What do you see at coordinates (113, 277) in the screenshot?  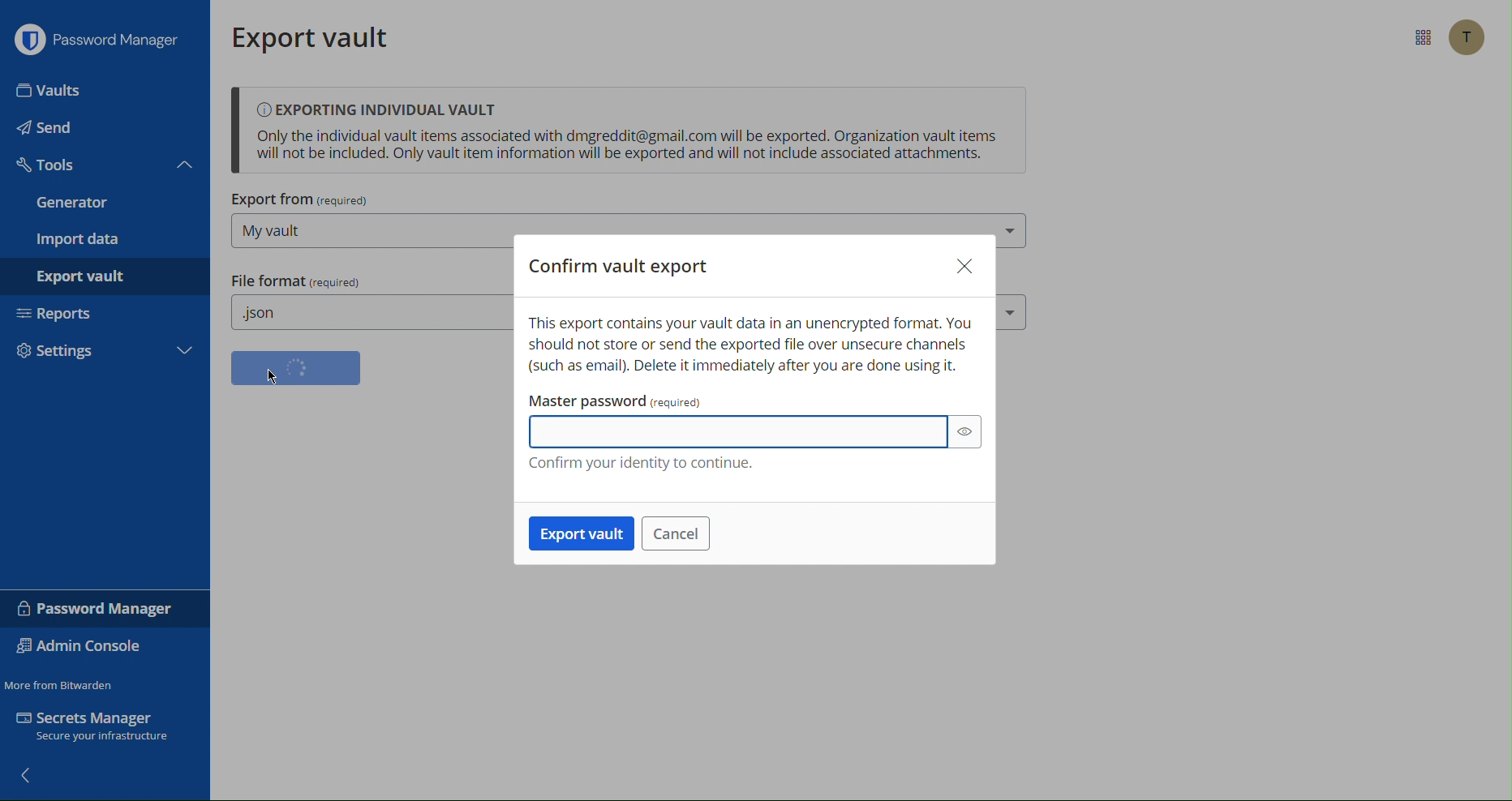 I see `Export vault` at bounding box center [113, 277].